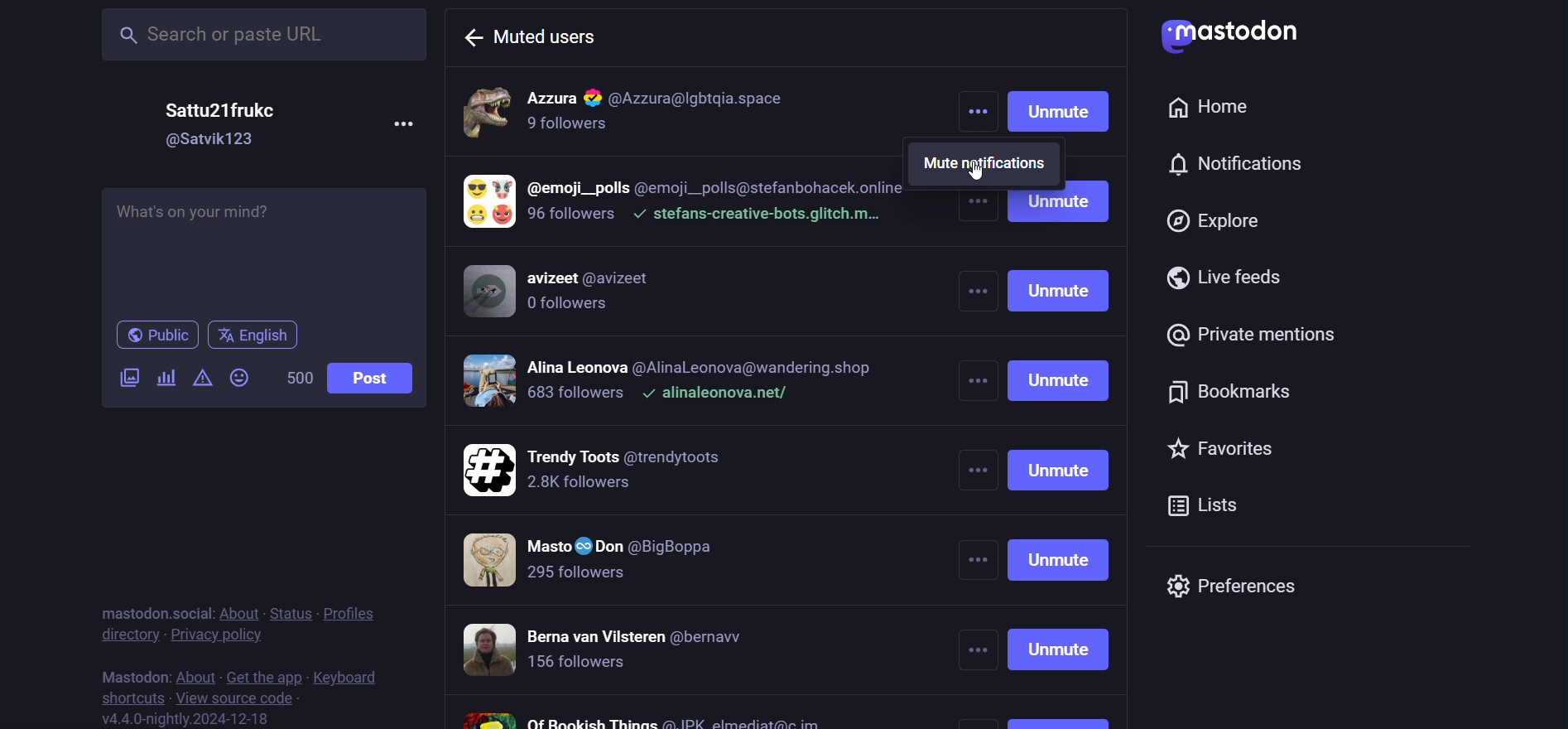 Image resolution: width=1568 pixels, height=729 pixels. Describe the element at coordinates (1208, 503) in the screenshot. I see `list` at that location.